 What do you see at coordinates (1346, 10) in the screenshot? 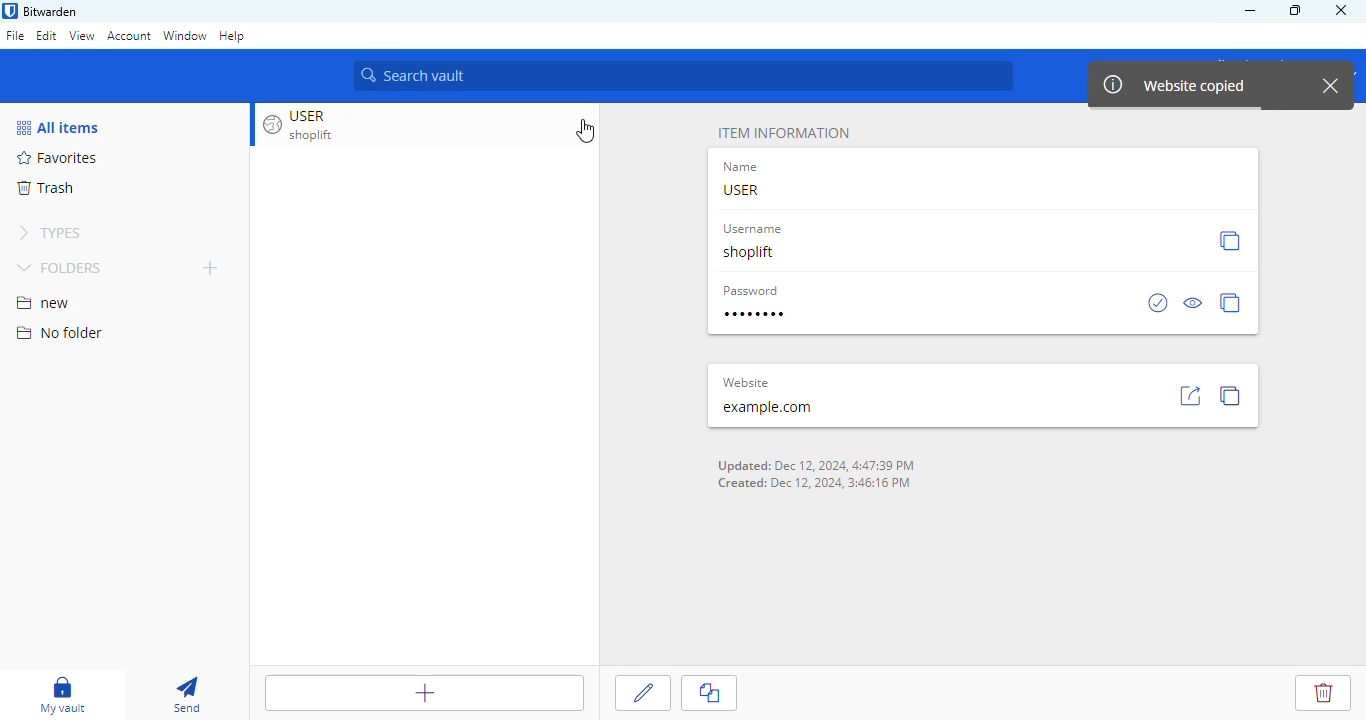
I see `close` at bounding box center [1346, 10].